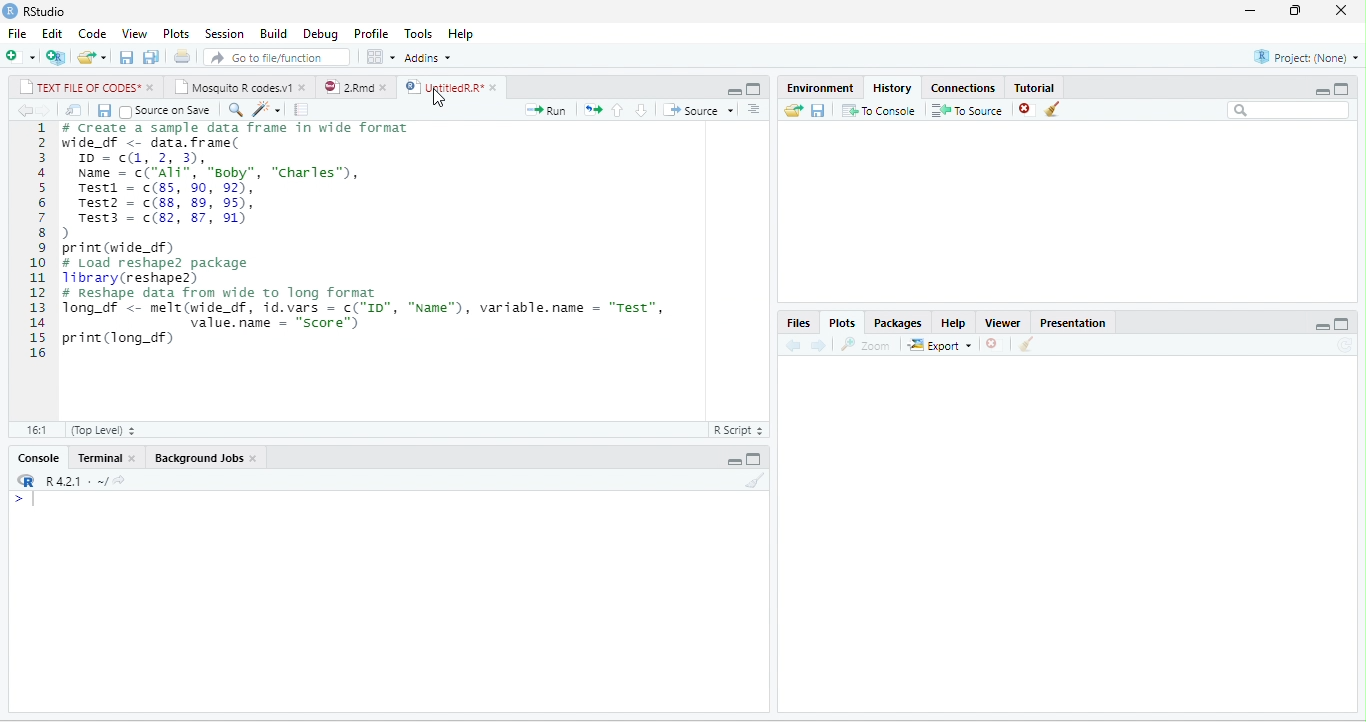  Describe the element at coordinates (593, 110) in the screenshot. I see `rerun` at that location.